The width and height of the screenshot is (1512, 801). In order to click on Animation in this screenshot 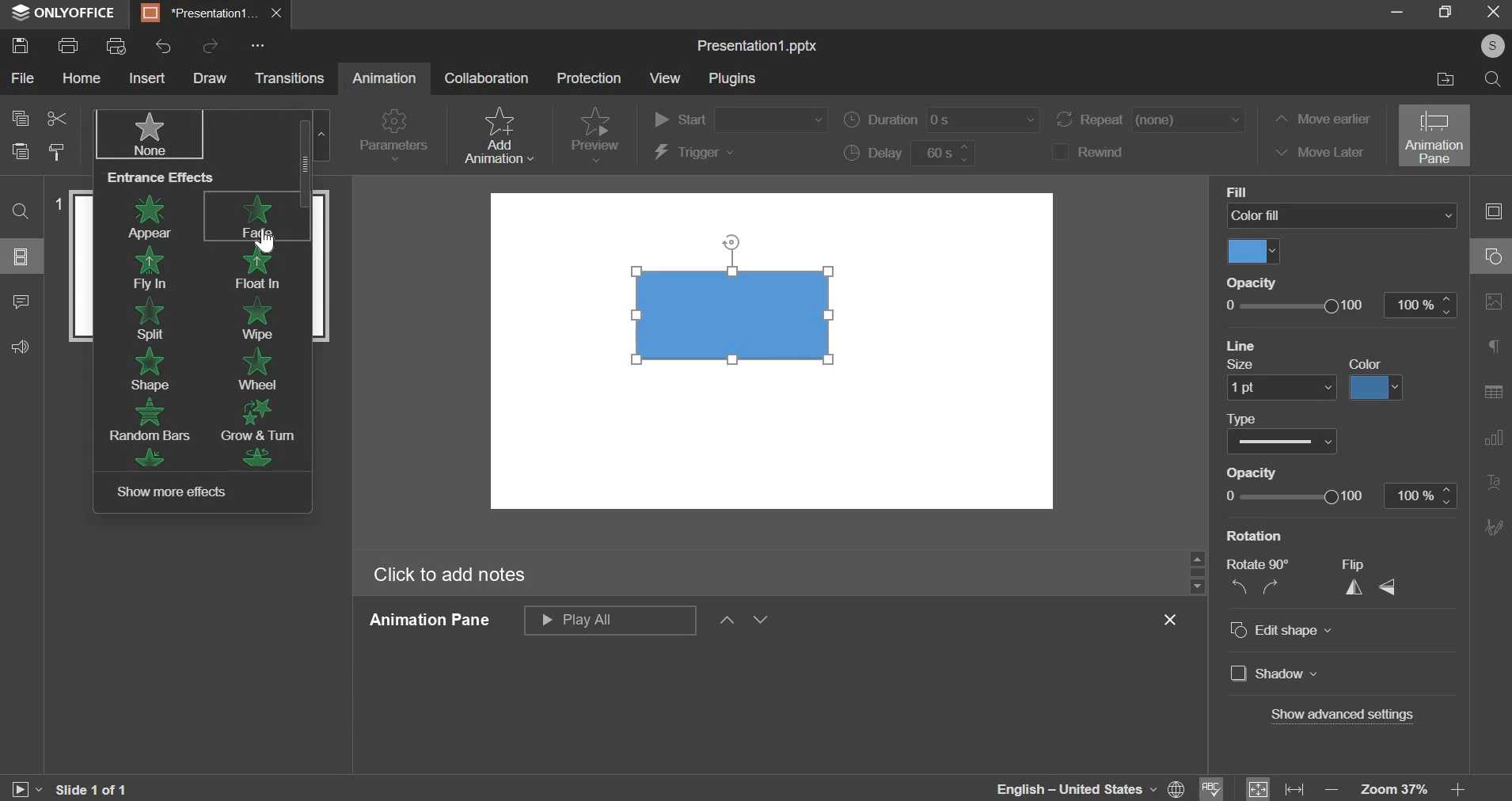, I will do `click(386, 80)`.